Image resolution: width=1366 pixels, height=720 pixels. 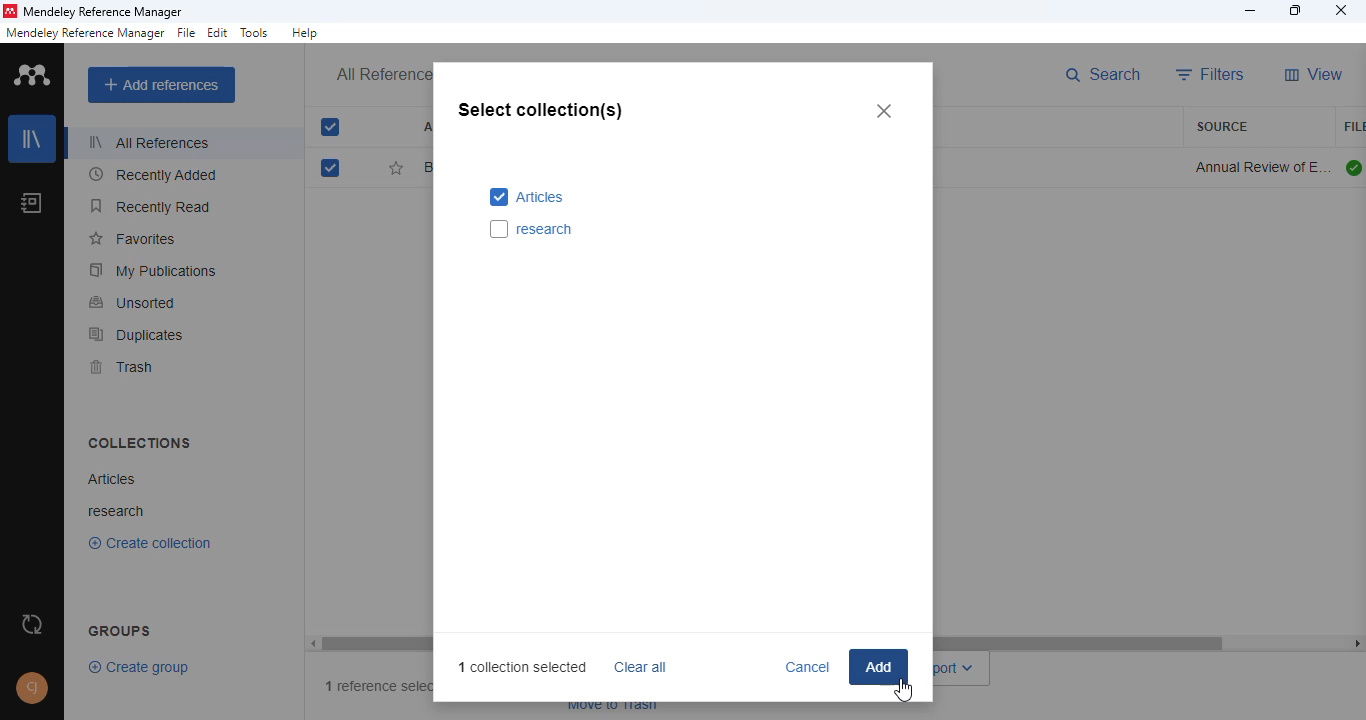 I want to click on annual review of environment and resources, so click(x=1261, y=167).